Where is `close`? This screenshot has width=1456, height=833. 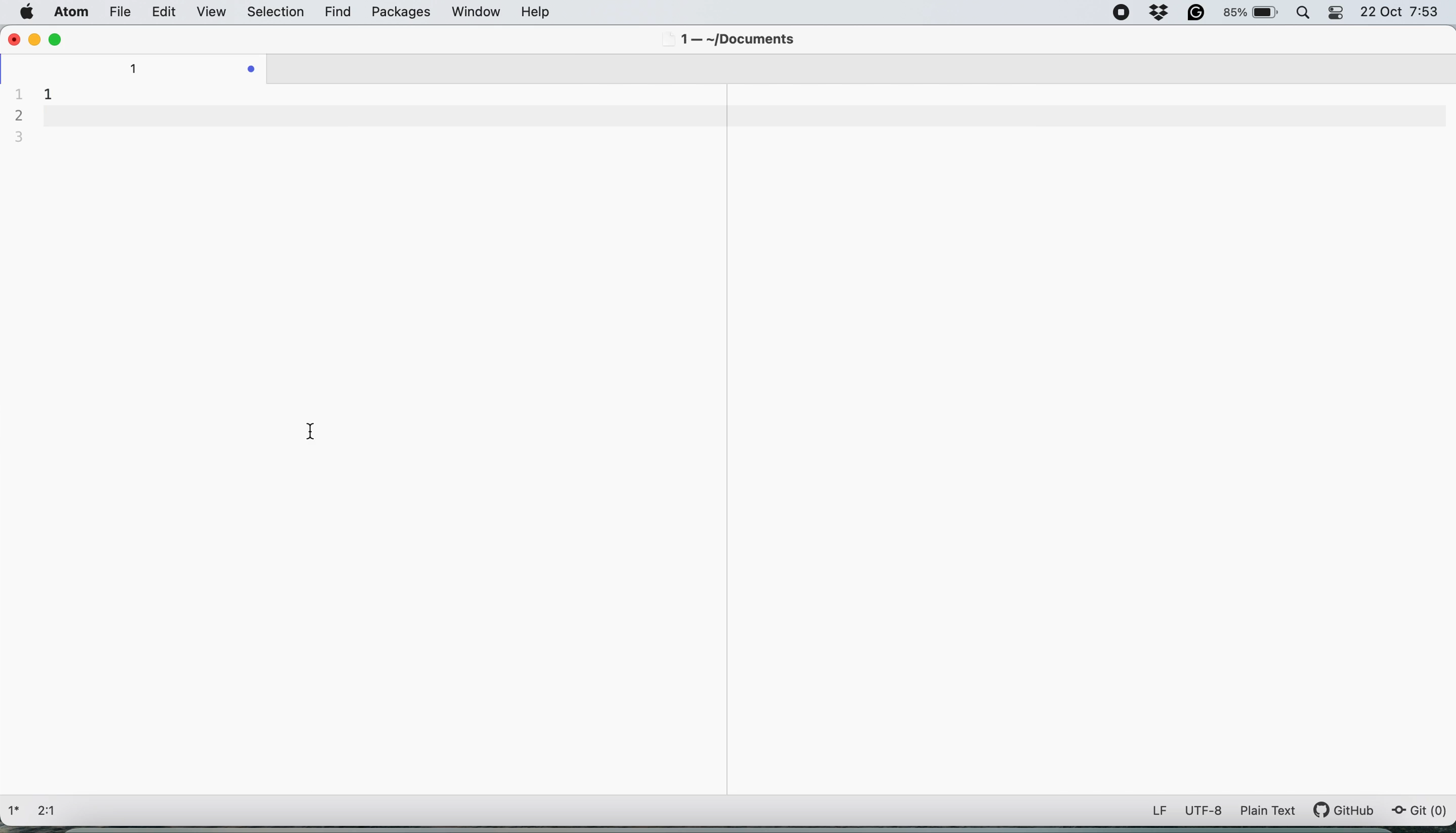 close is located at coordinates (13, 39).